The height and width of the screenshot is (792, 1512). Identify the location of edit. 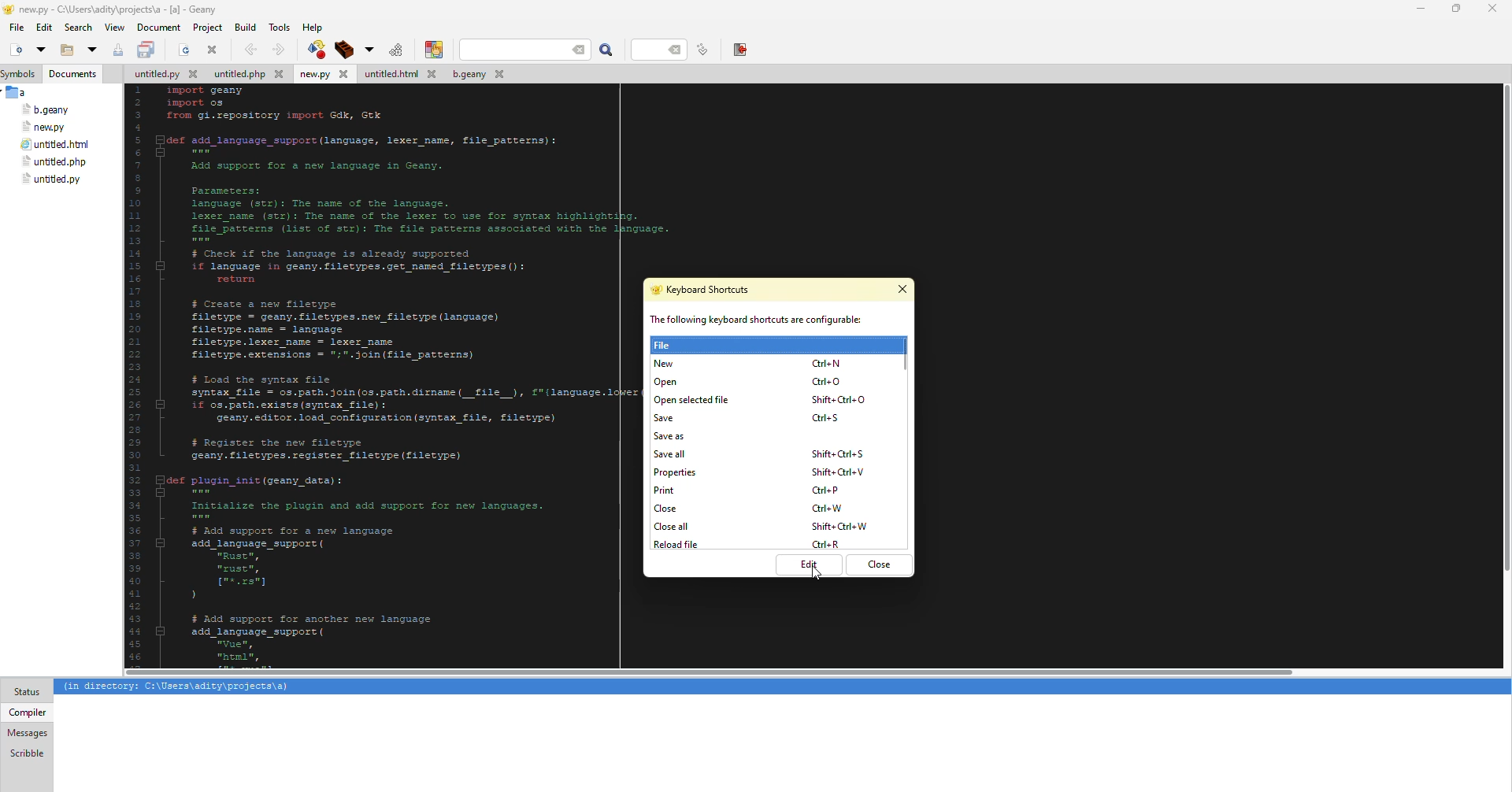
(810, 565).